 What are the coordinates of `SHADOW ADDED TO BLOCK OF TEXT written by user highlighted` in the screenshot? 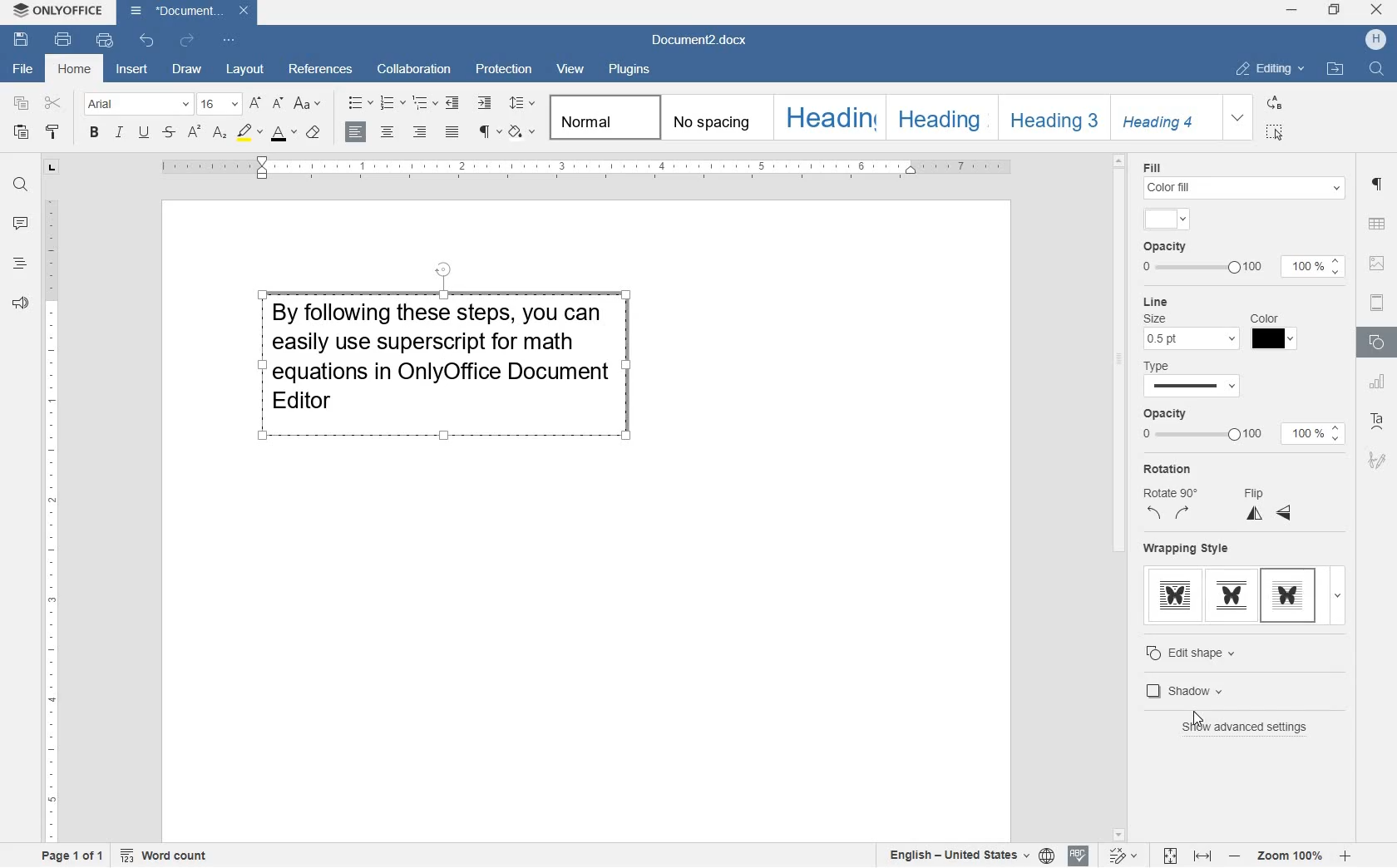 It's located at (443, 360).